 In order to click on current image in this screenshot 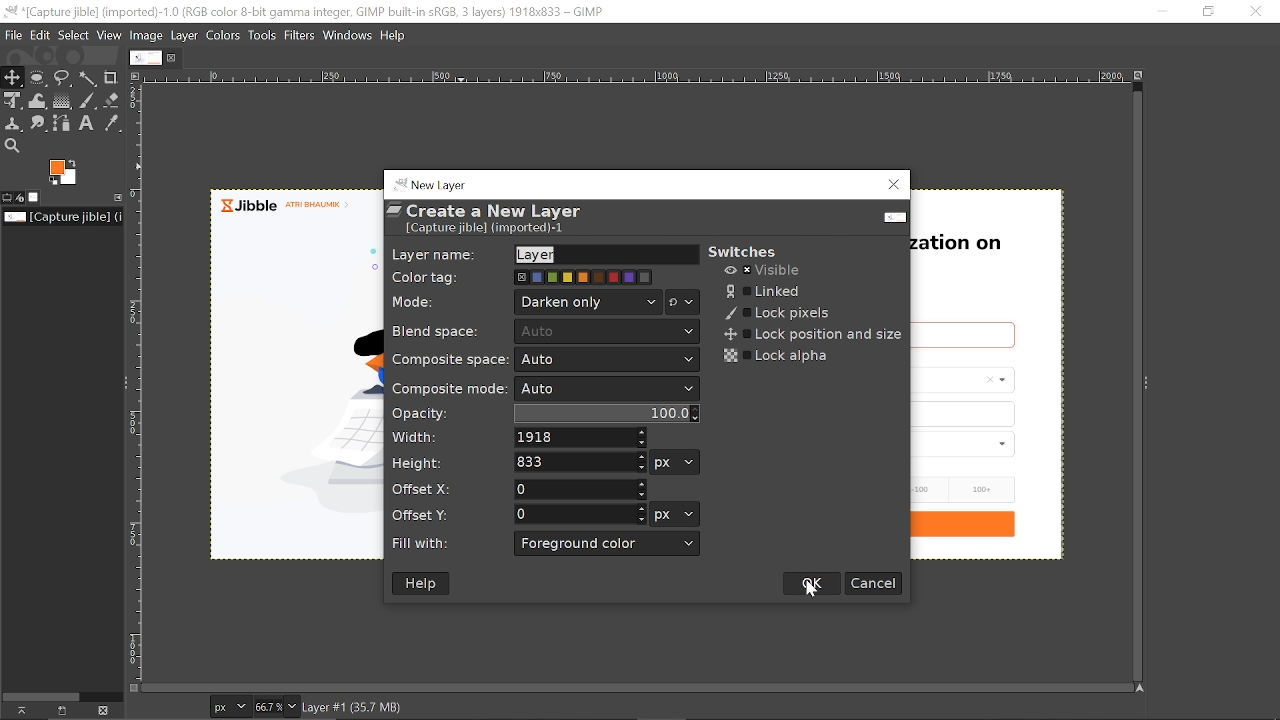, I will do `click(288, 383)`.